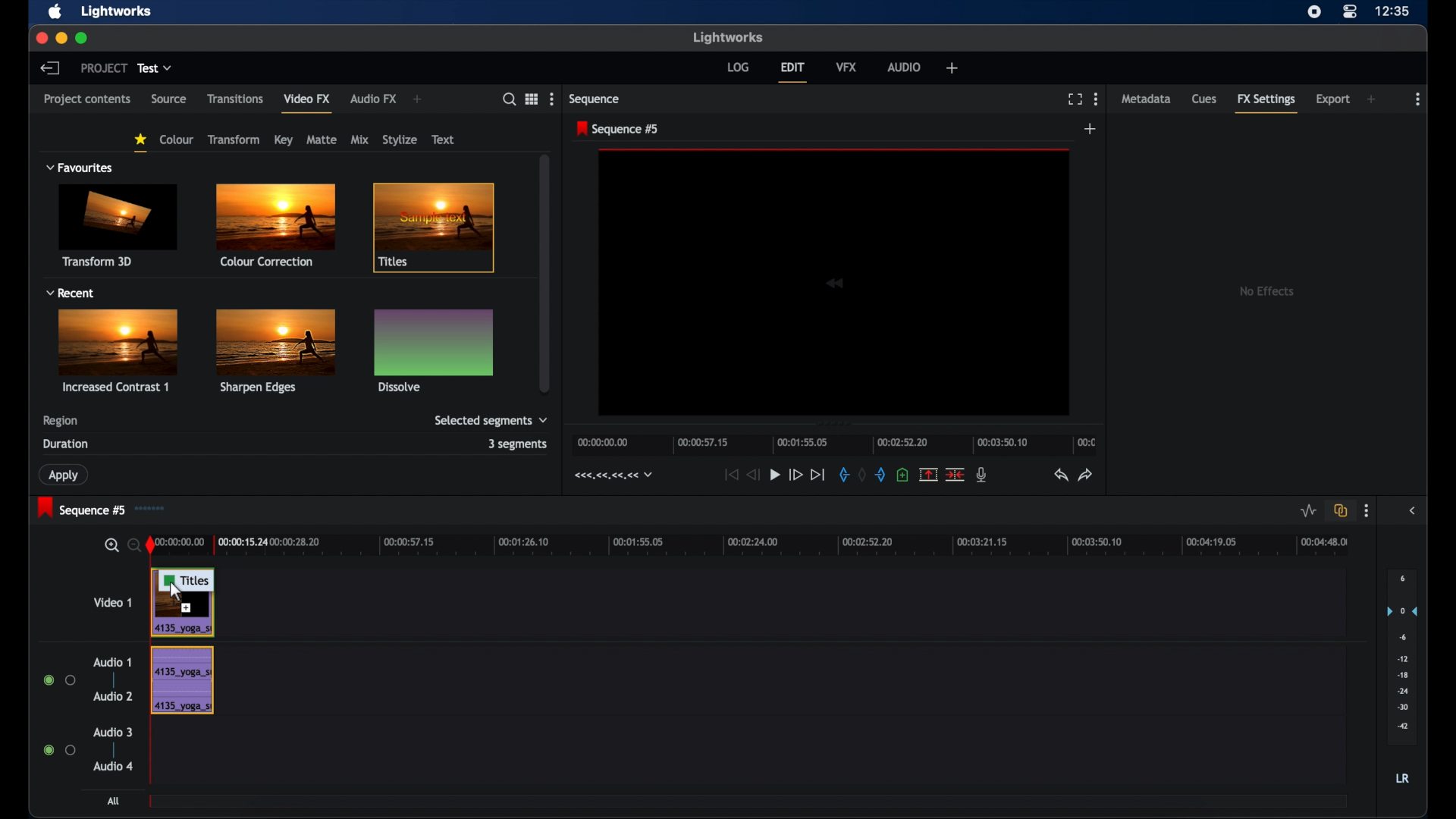 This screenshot has height=819, width=1456. I want to click on audio fx, so click(375, 99).